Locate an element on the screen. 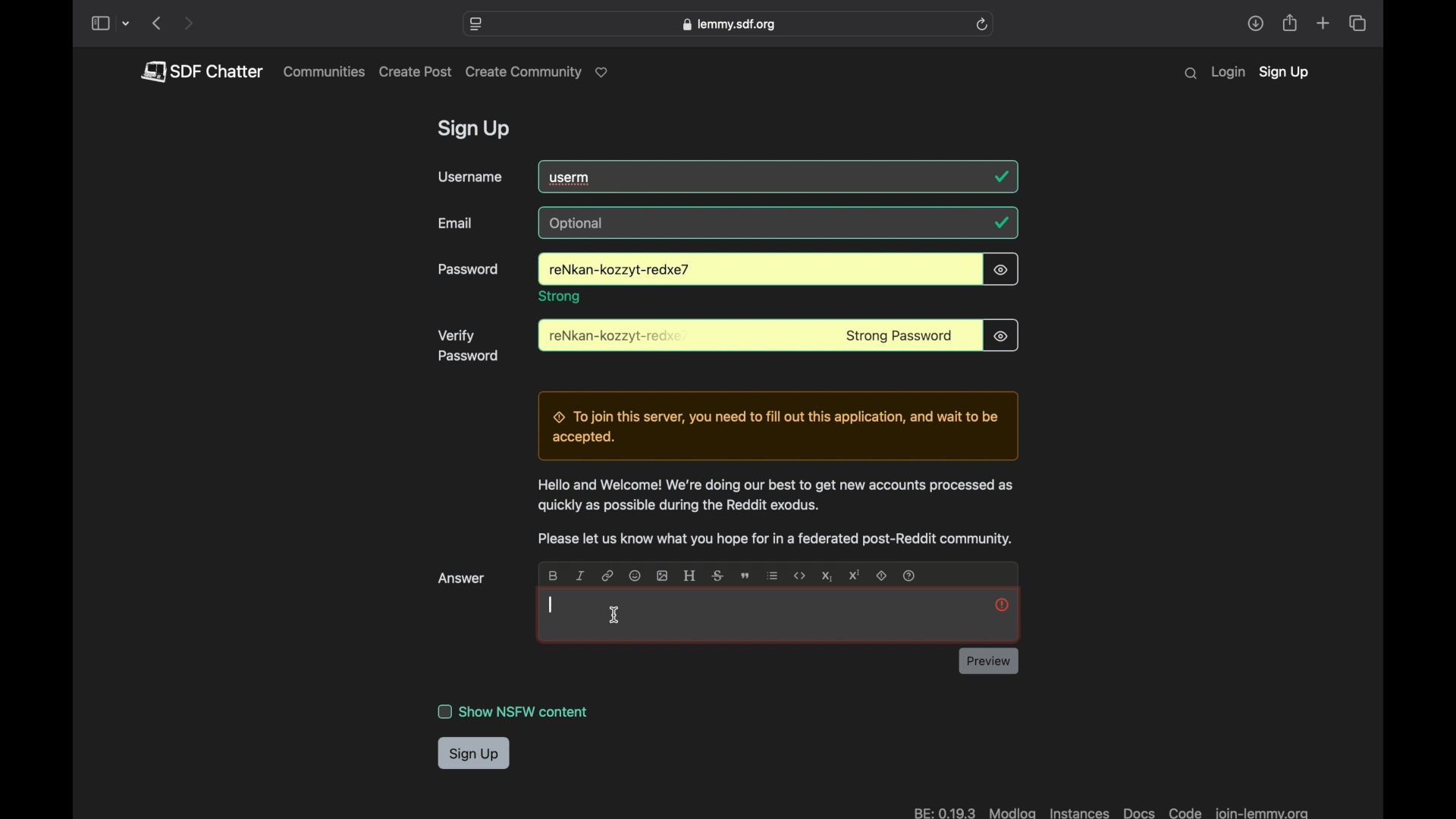 The width and height of the screenshot is (1456, 819). image is located at coordinates (663, 576).